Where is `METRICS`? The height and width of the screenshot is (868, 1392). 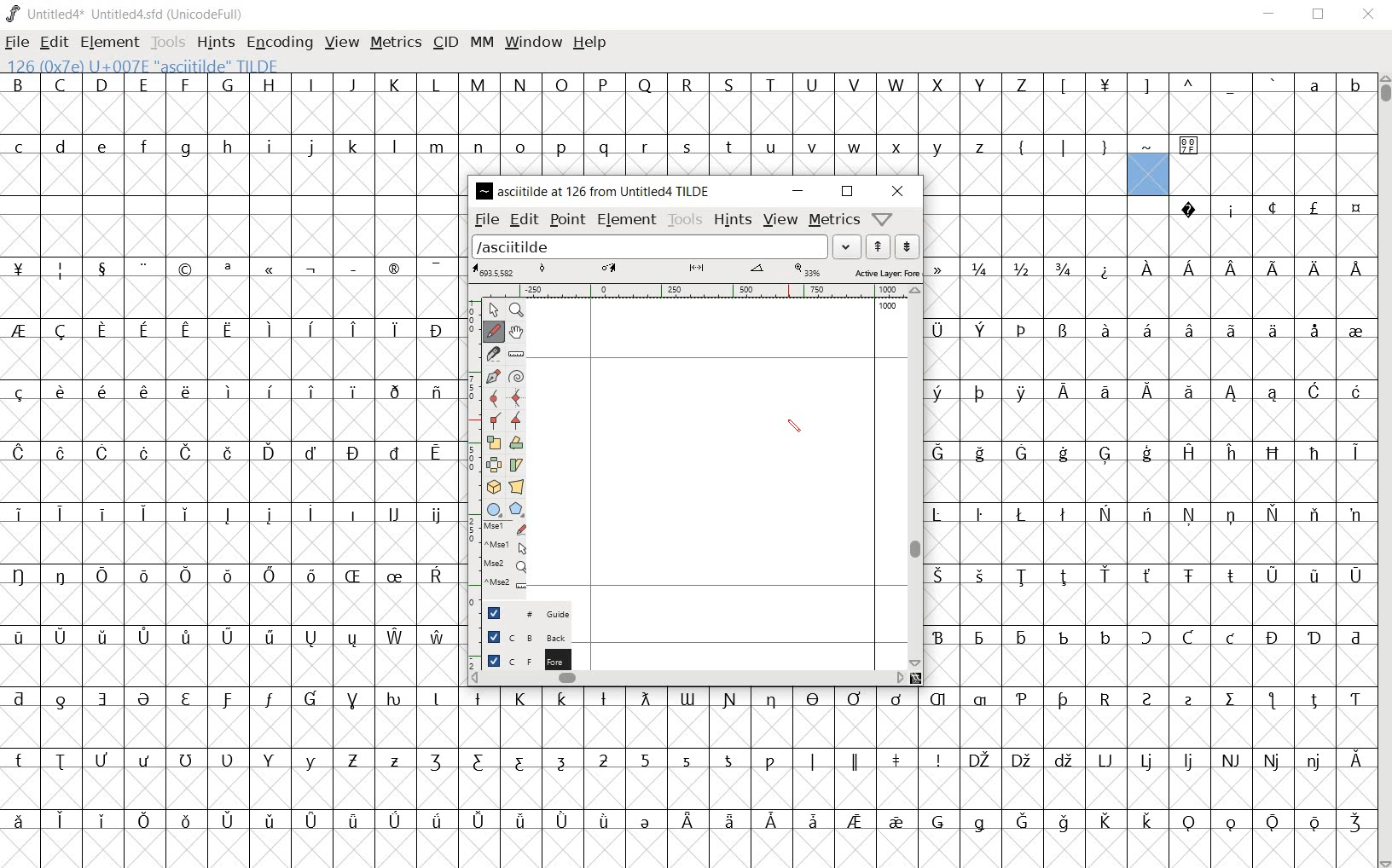 METRICS is located at coordinates (395, 42).